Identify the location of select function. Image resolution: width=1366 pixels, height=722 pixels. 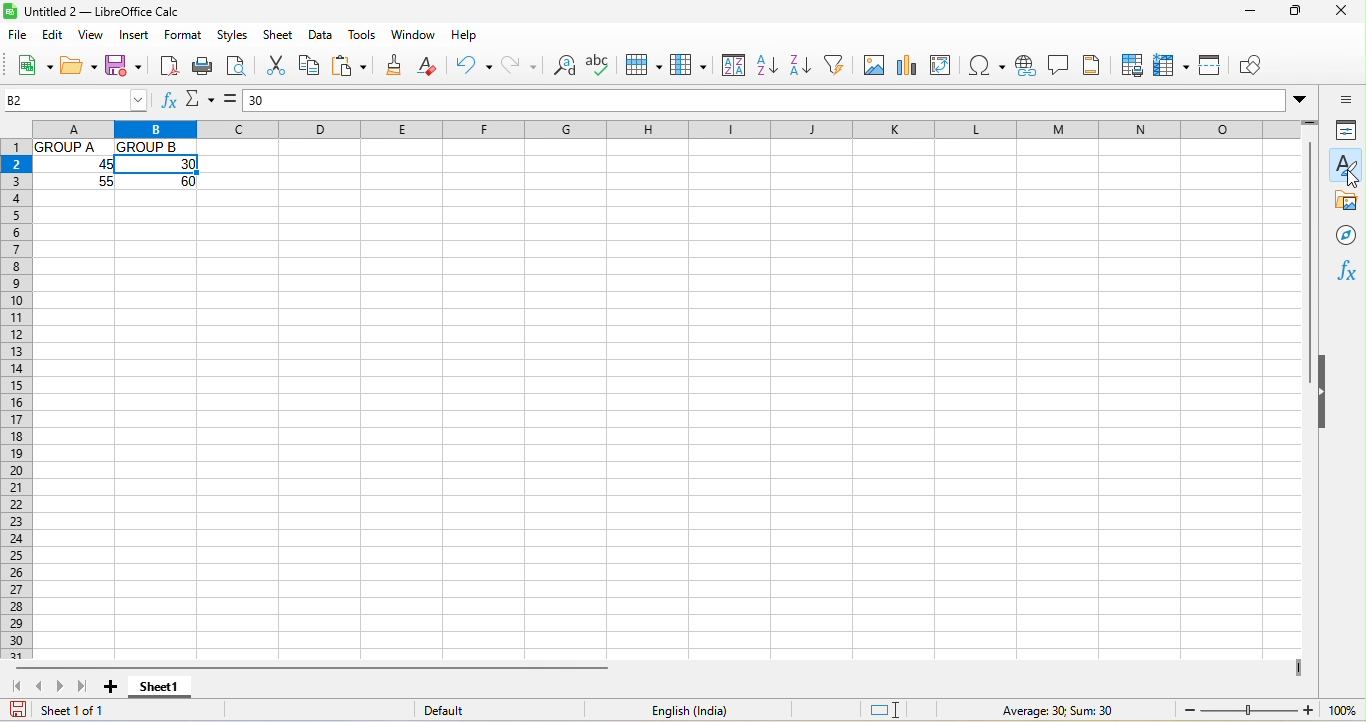
(201, 102).